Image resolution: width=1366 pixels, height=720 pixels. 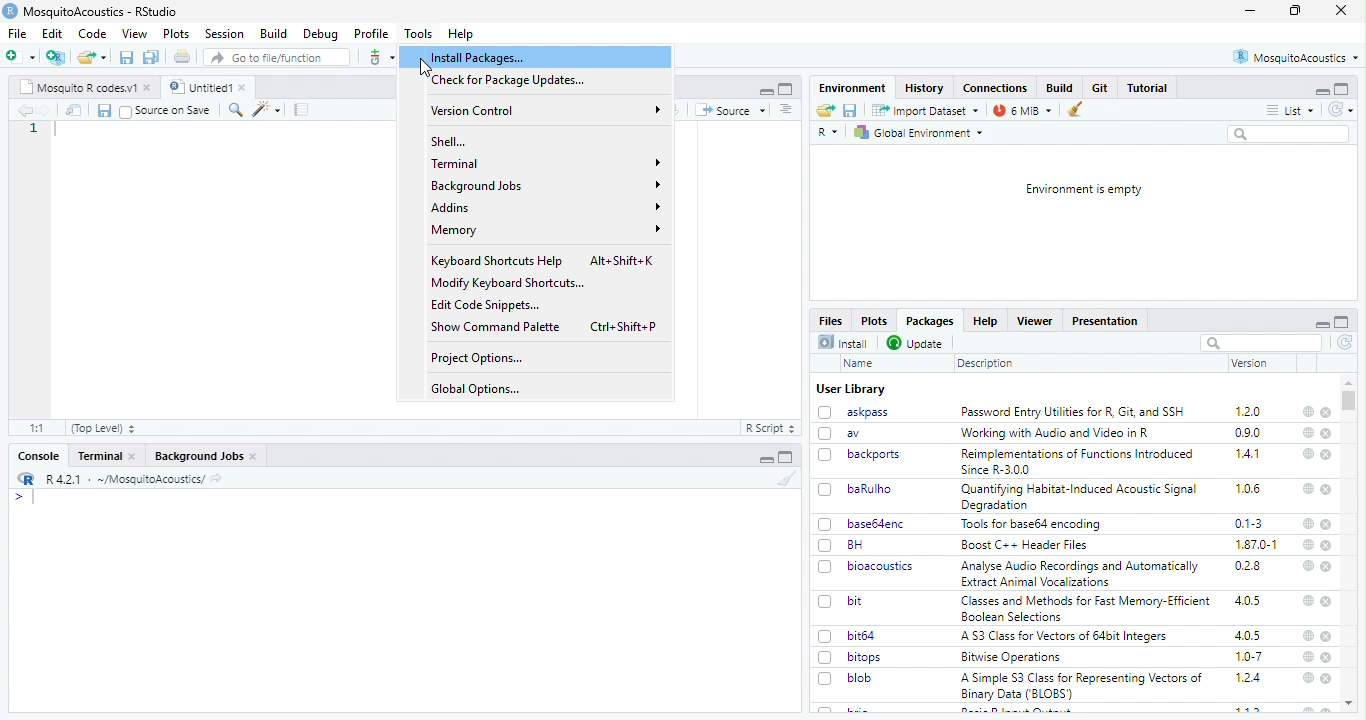 I want to click on ‘Mosquito R codes.vl, so click(x=77, y=87).